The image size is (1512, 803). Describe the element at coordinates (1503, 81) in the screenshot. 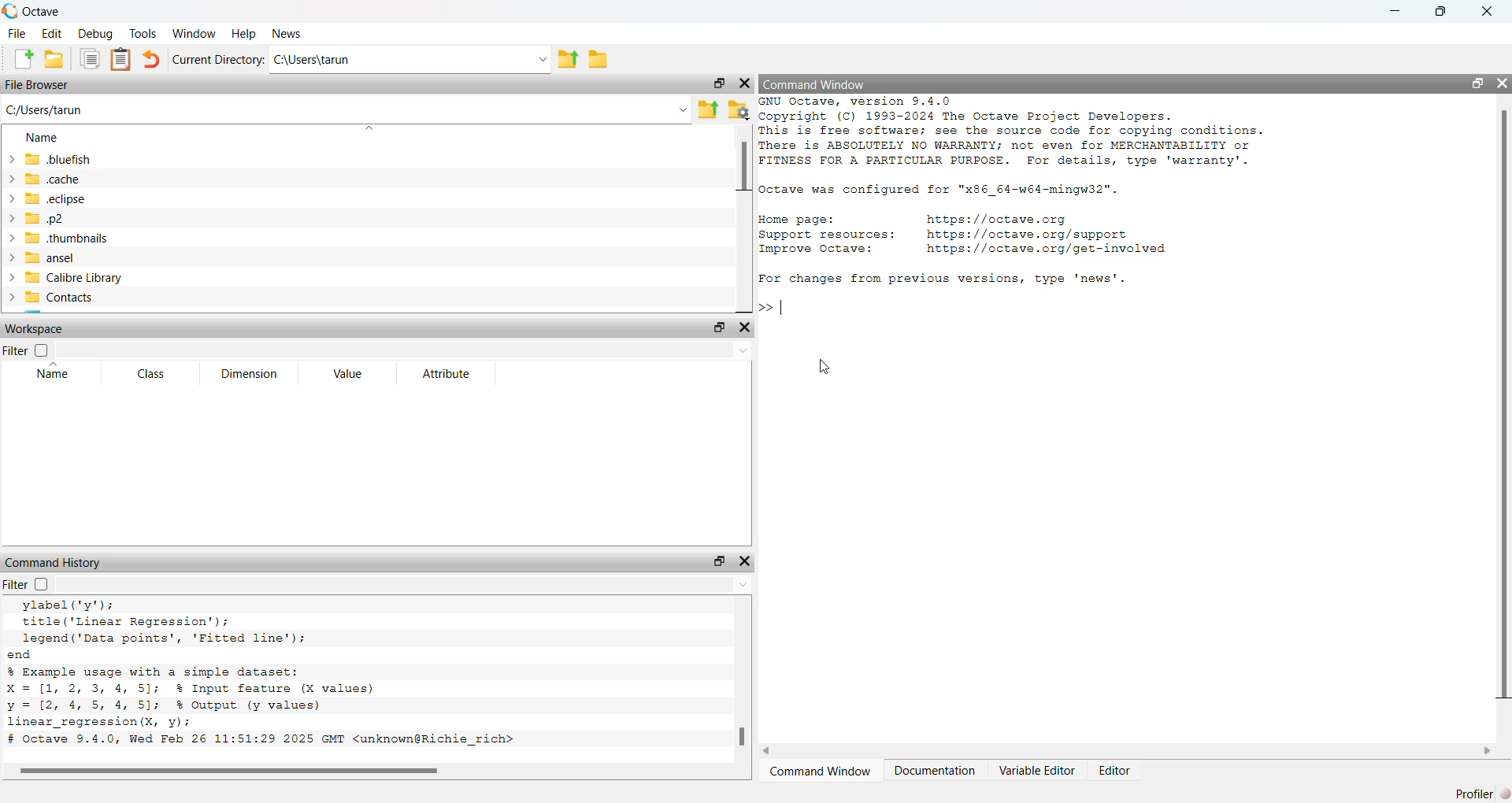

I see `hide widget` at that location.